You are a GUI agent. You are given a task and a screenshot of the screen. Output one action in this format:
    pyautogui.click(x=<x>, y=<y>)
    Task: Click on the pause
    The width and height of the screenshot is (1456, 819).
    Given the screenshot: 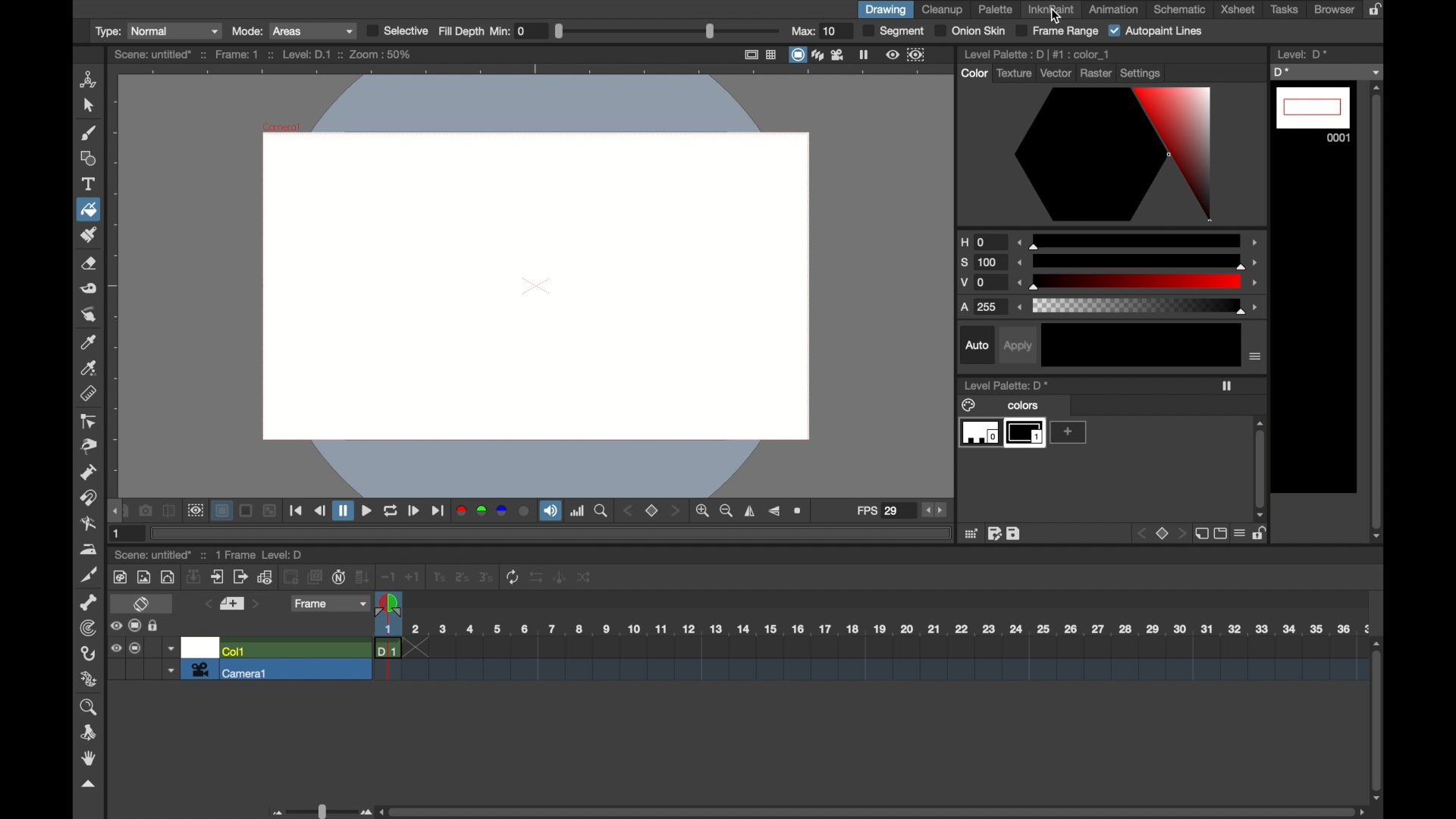 What is the action you would take?
    pyautogui.click(x=344, y=511)
    